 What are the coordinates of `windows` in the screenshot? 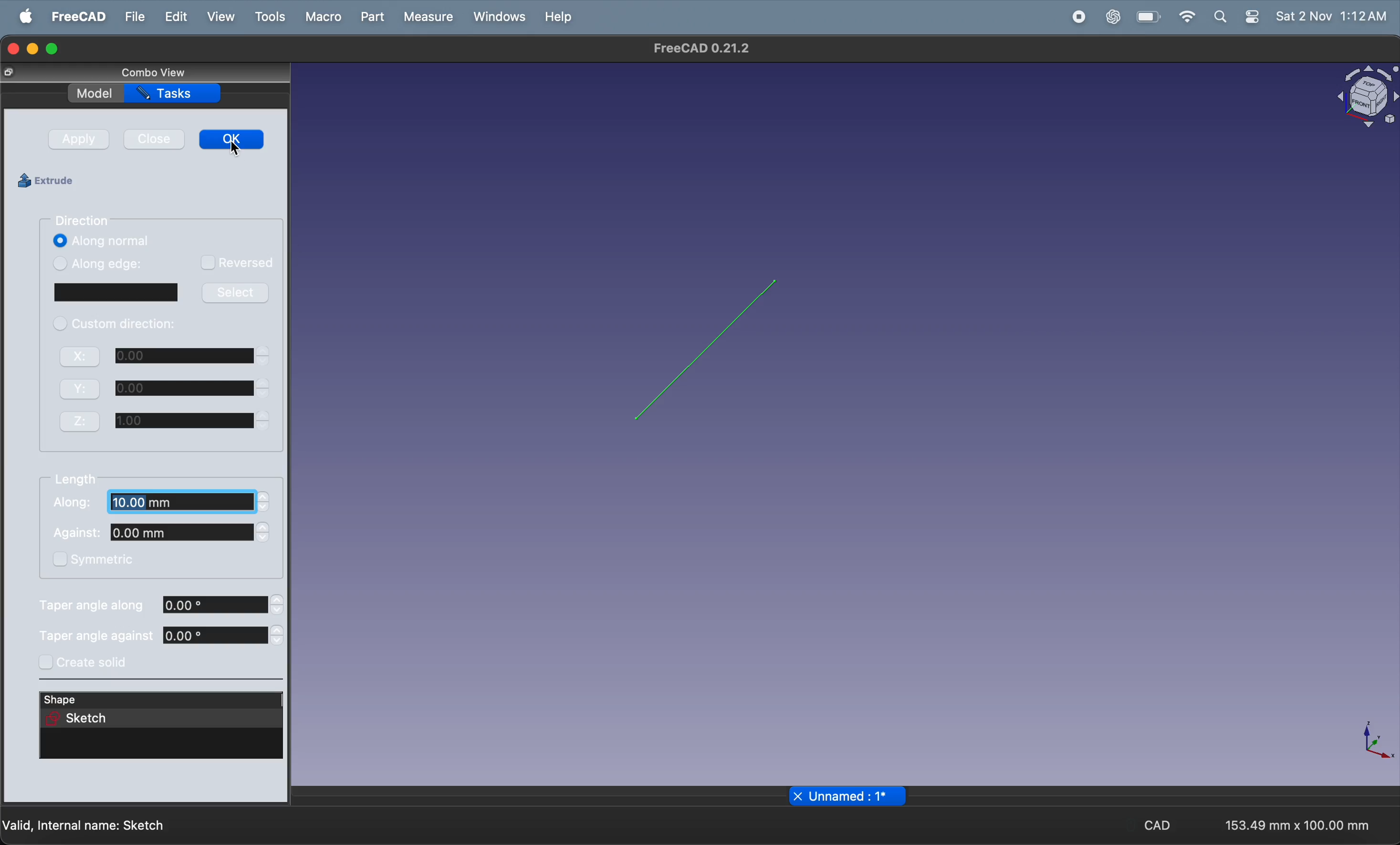 It's located at (498, 16).